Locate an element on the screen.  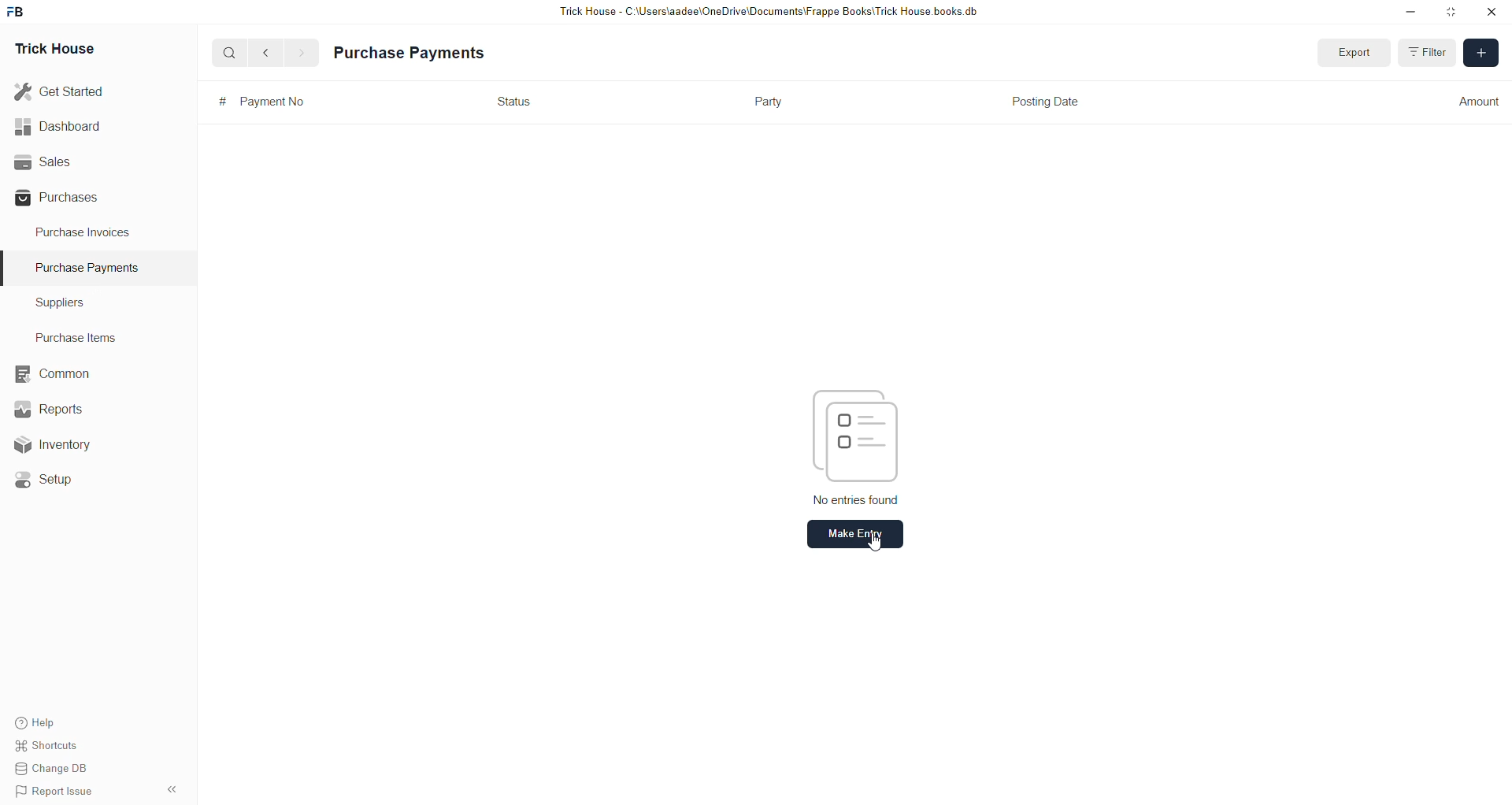
cursor is located at coordinates (873, 544).